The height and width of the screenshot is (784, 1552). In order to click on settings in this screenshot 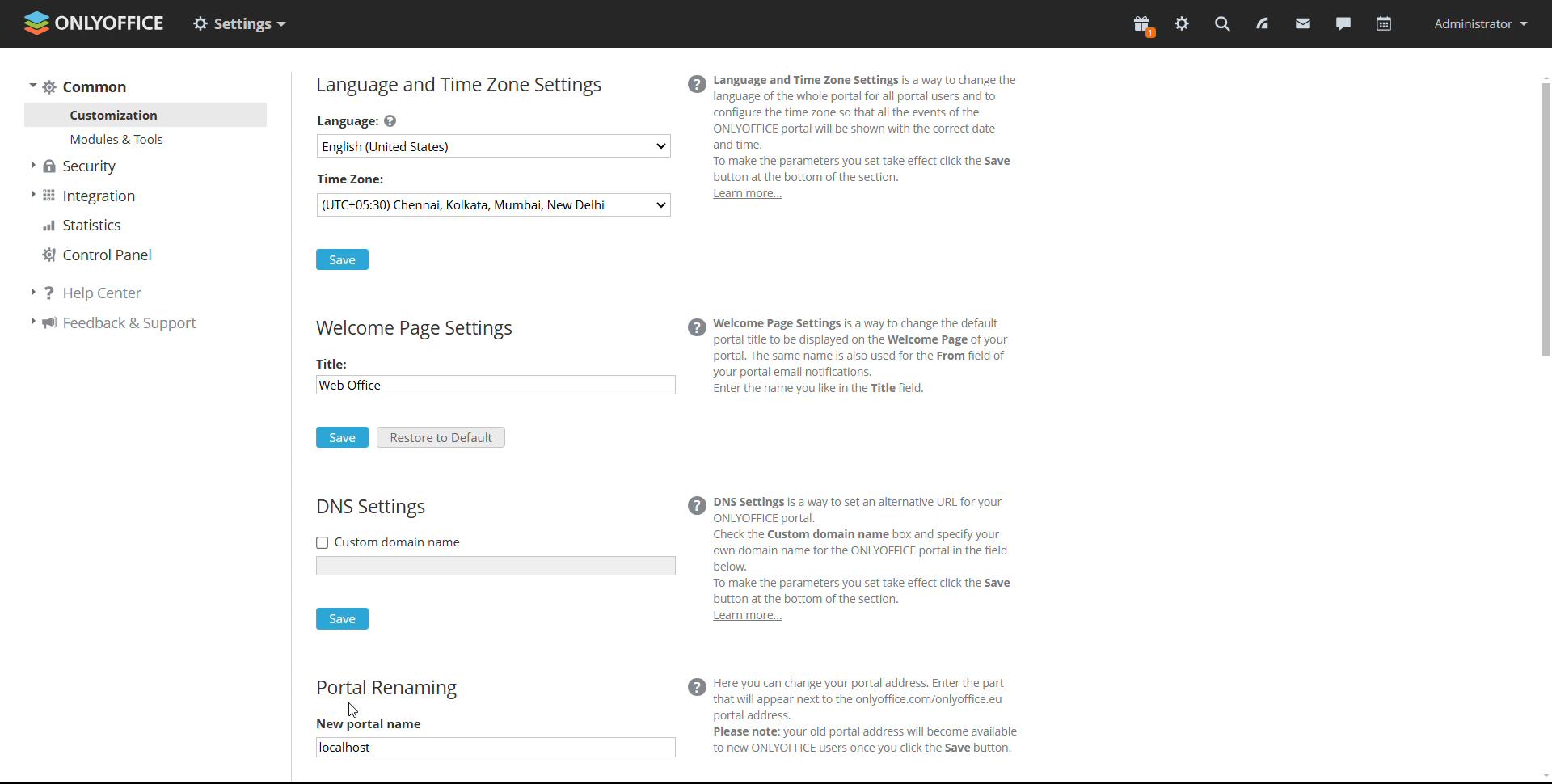, I will do `click(1181, 24)`.